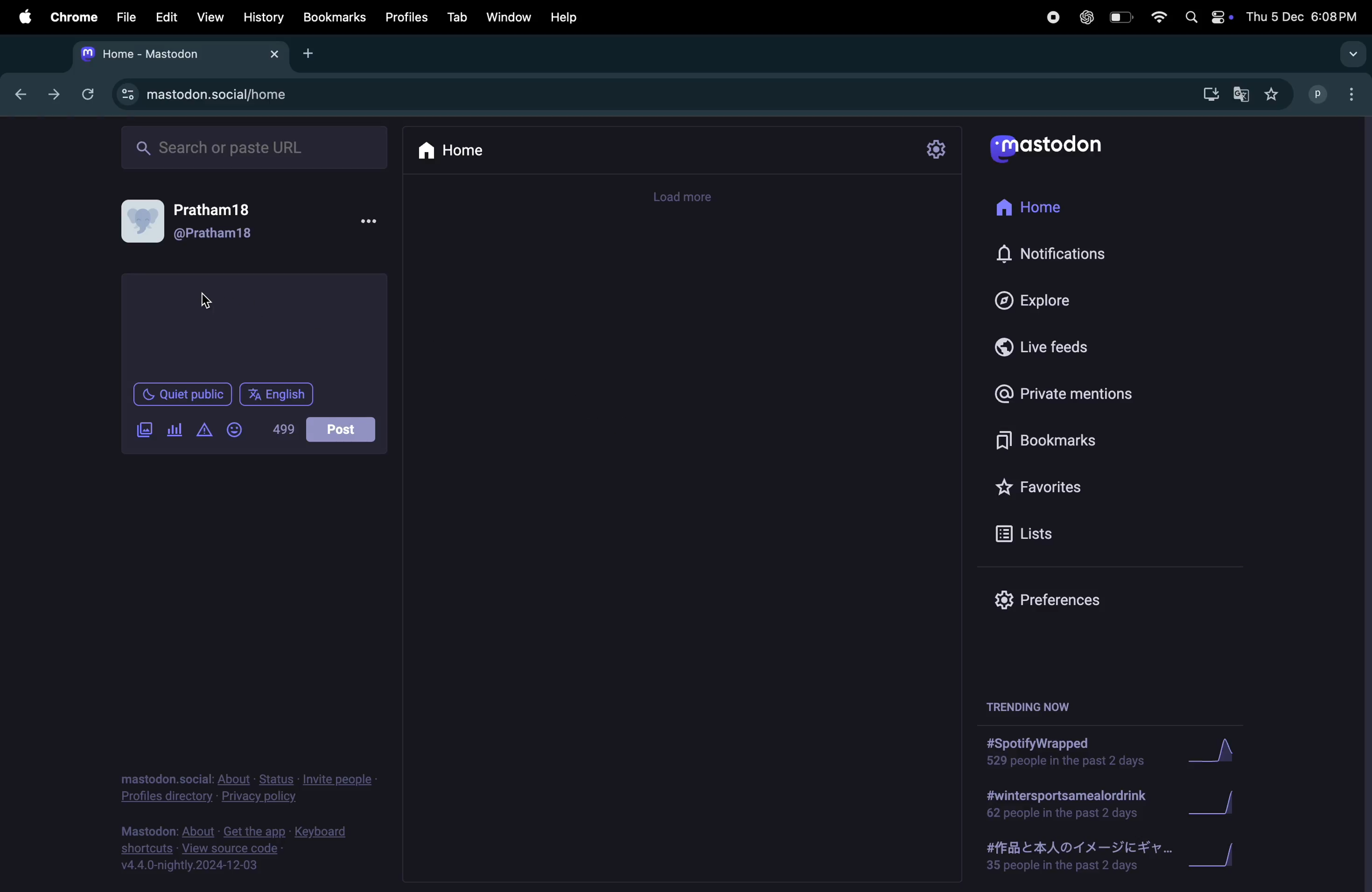  What do you see at coordinates (1061, 440) in the screenshot?
I see `Bookmarks` at bounding box center [1061, 440].